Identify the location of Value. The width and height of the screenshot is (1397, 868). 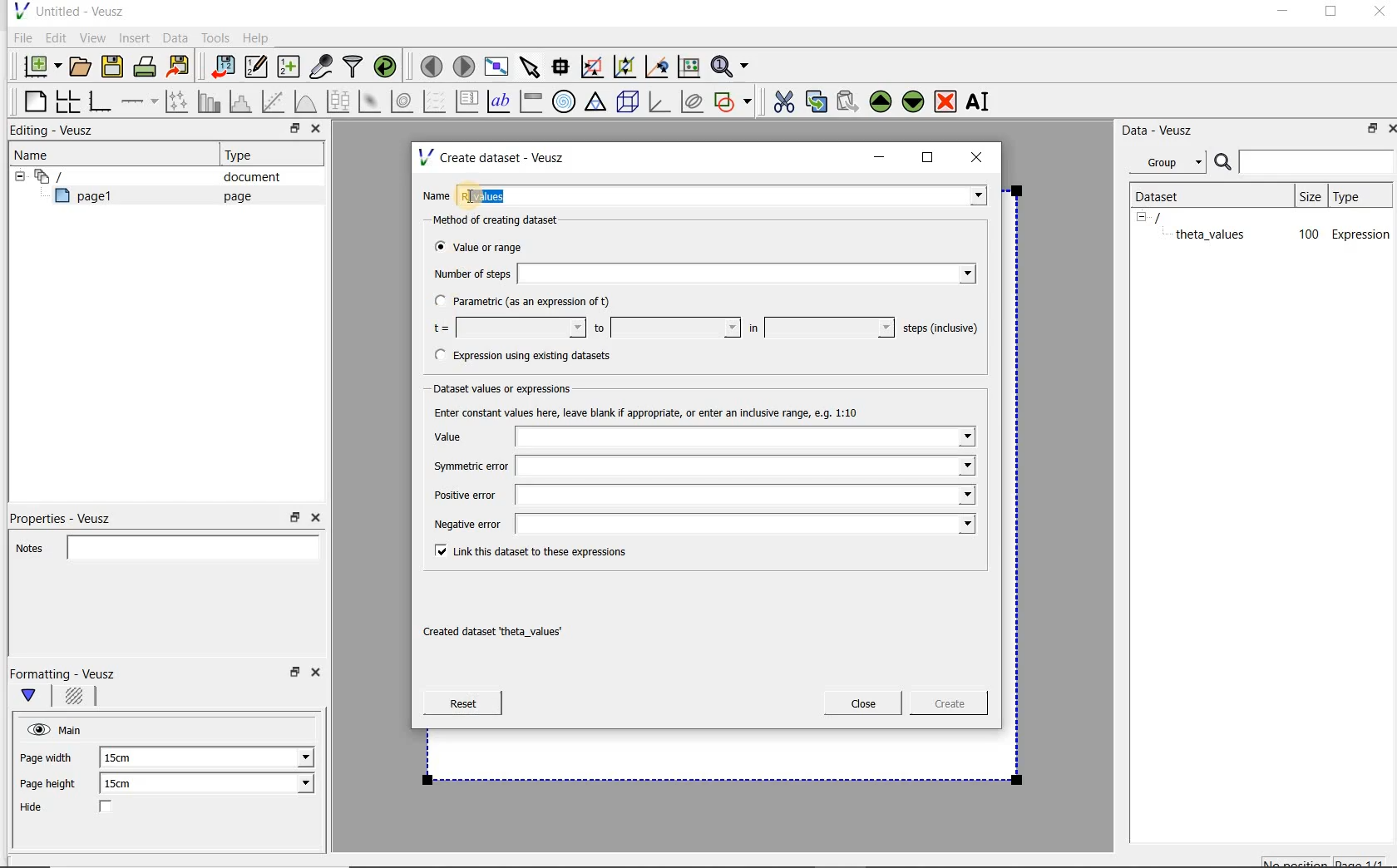
(703, 437).